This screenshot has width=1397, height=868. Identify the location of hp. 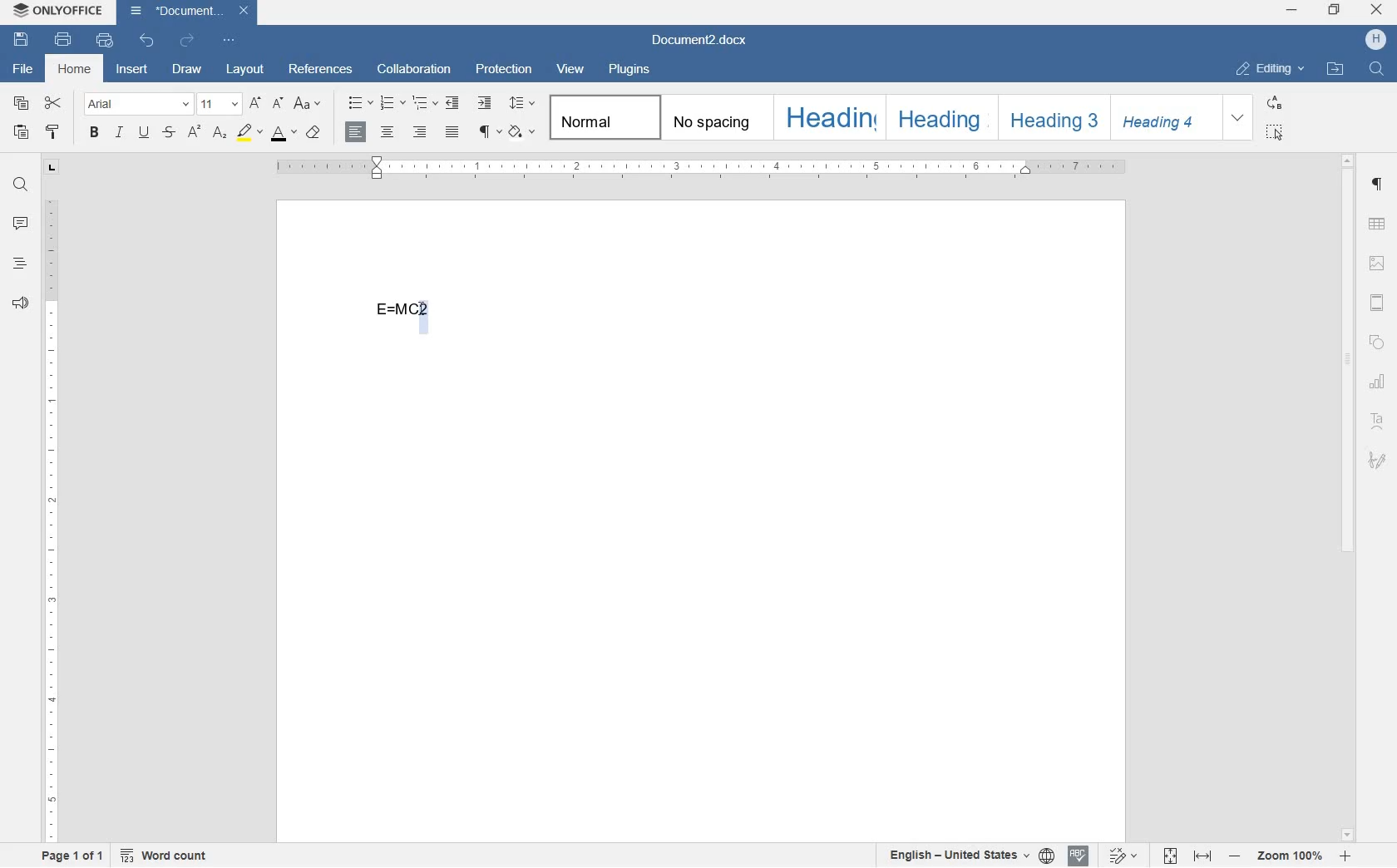
(1376, 40).